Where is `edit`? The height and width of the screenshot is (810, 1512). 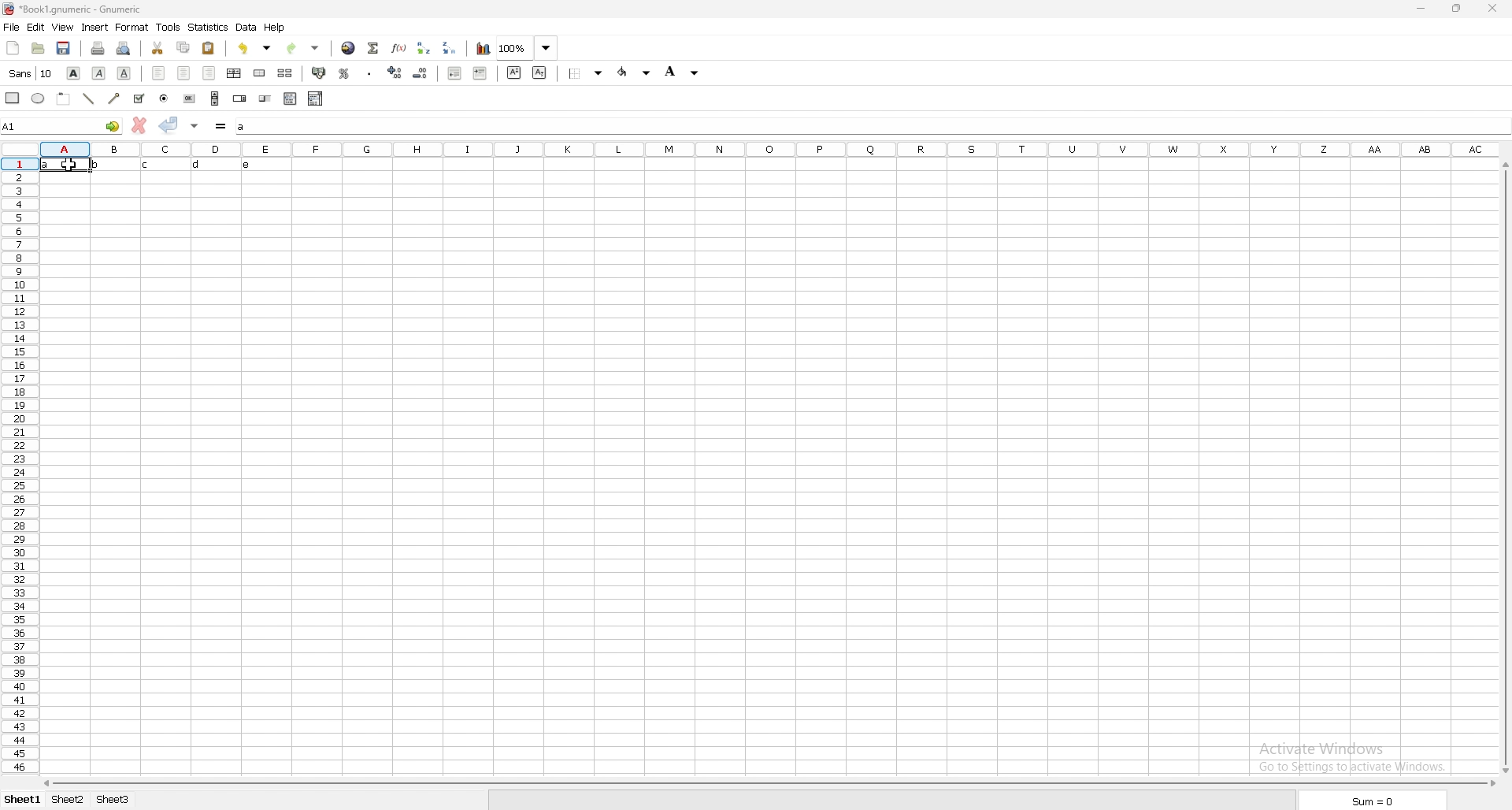
edit is located at coordinates (35, 27).